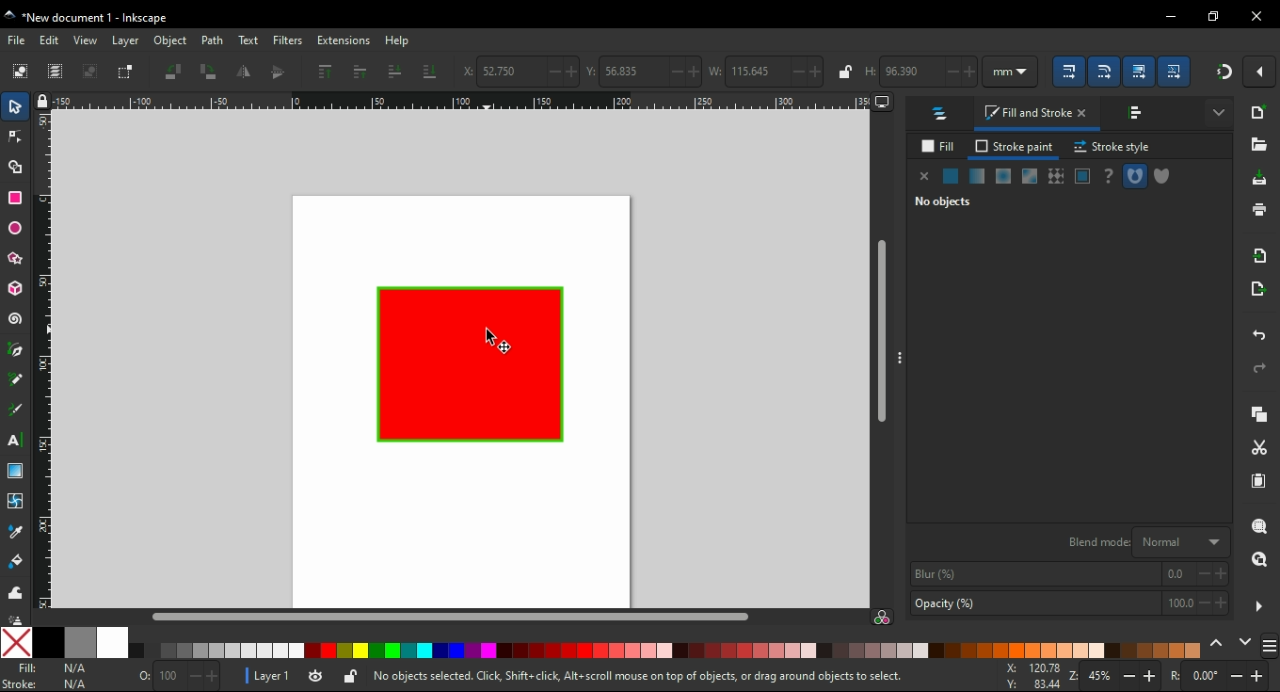 This screenshot has width=1280, height=692. What do you see at coordinates (1003, 177) in the screenshot?
I see `radial gradient` at bounding box center [1003, 177].